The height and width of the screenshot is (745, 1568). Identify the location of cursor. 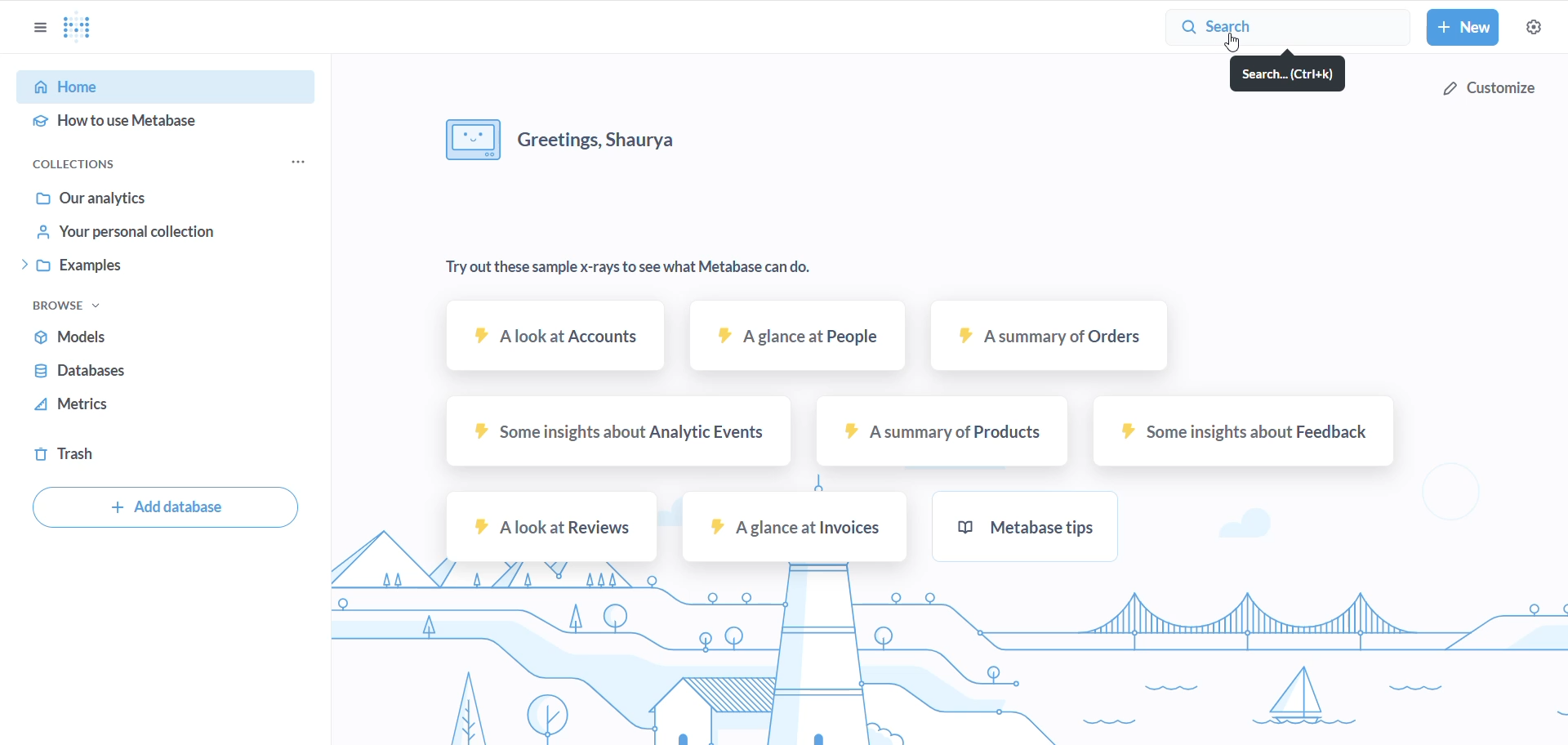
(1236, 41).